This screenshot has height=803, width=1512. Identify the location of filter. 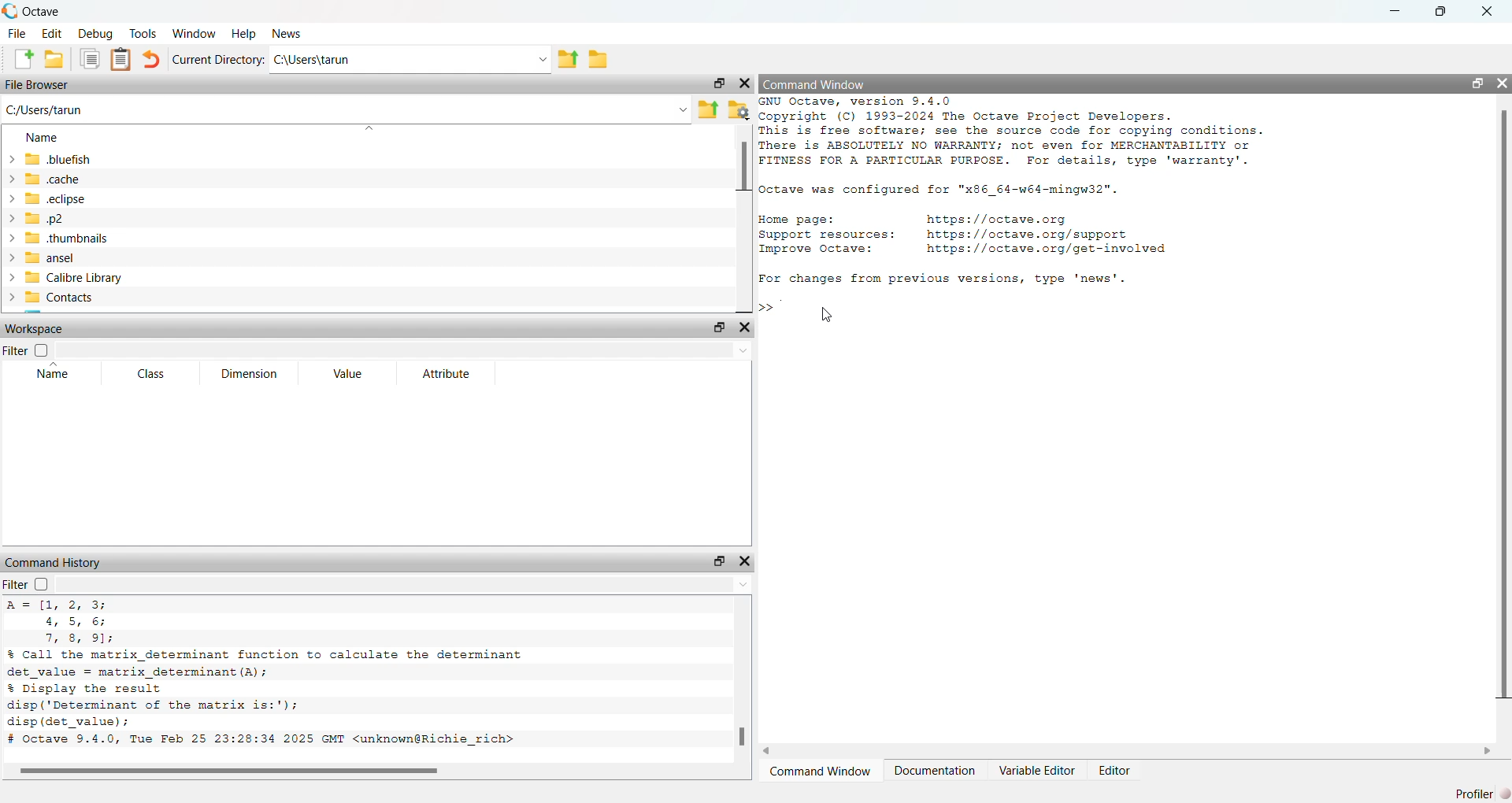
(16, 350).